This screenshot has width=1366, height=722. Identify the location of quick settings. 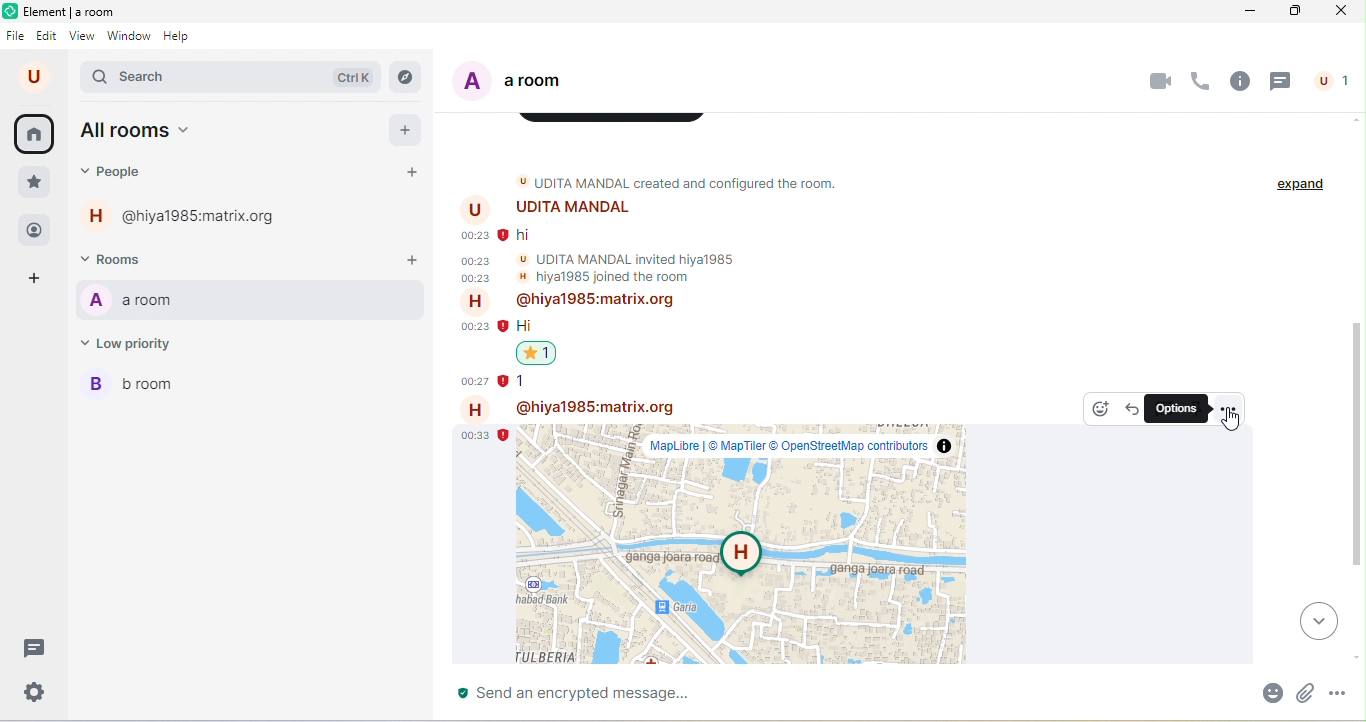
(35, 693).